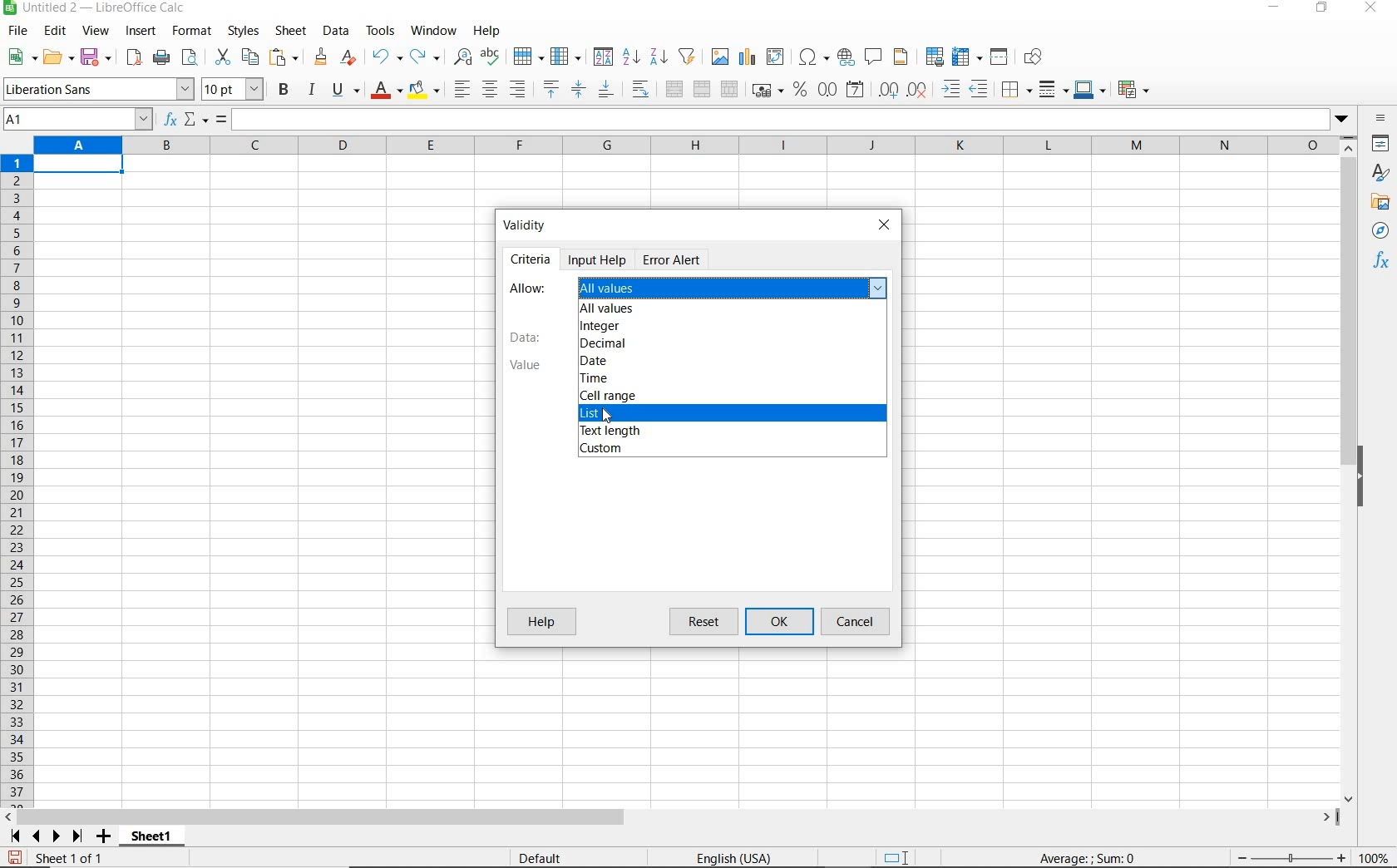 The height and width of the screenshot is (868, 1397). What do you see at coordinates (722, 57) in the screenshot?
I see `insert image` at bounding box center [722, 57].